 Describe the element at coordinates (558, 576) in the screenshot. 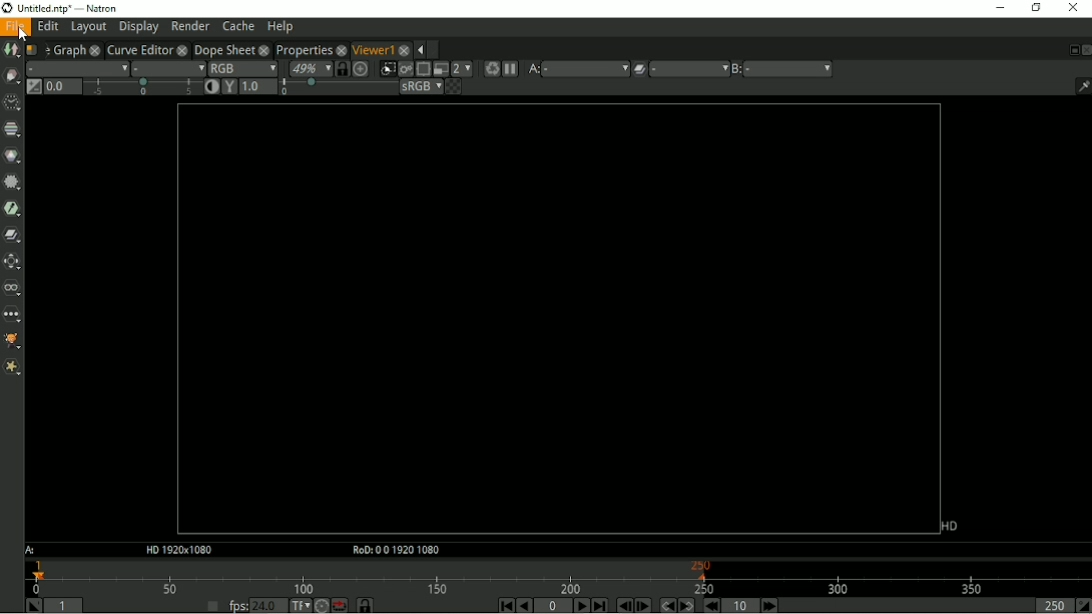

I see `Timeline` at that location.